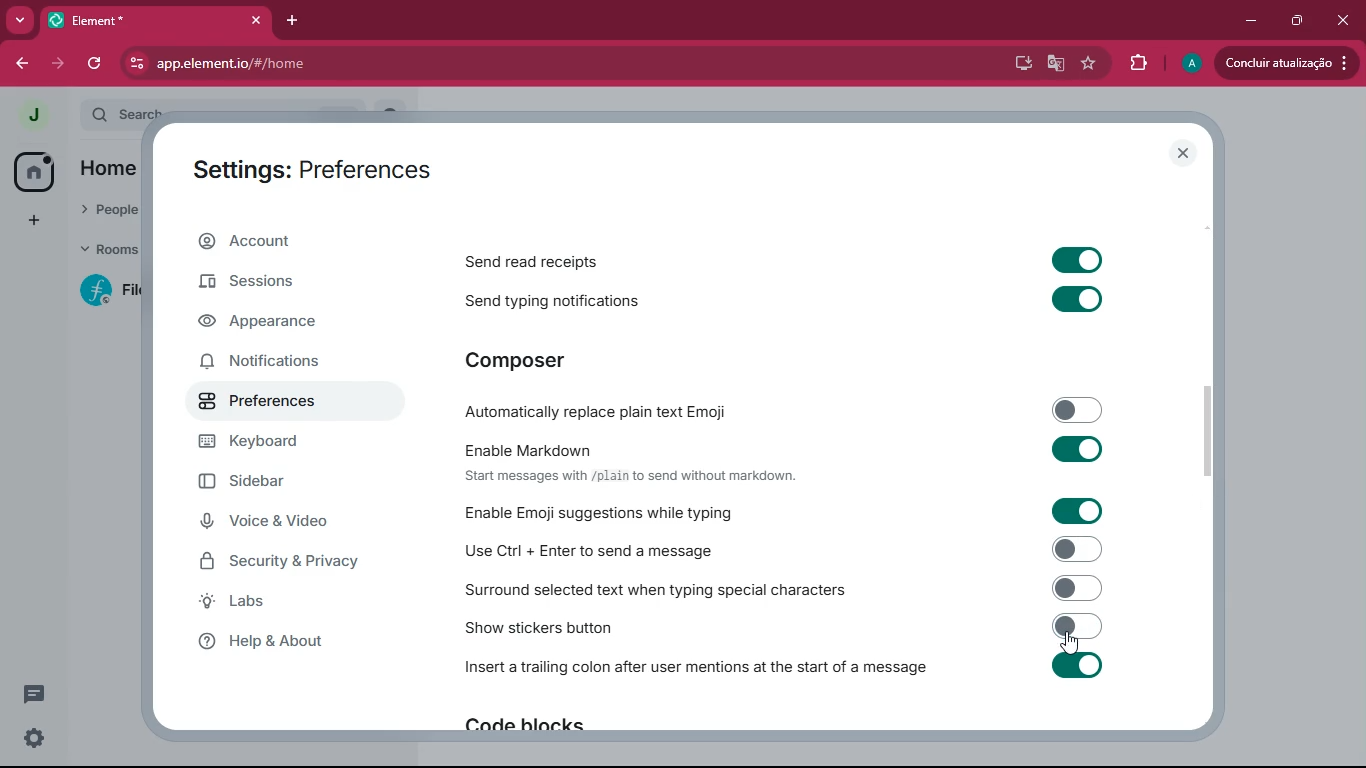  What do you see at coordinates (780, 413) in the screenshot?
I see `-Automatically replace plain text Emoji` at bounding box center [780, 413].